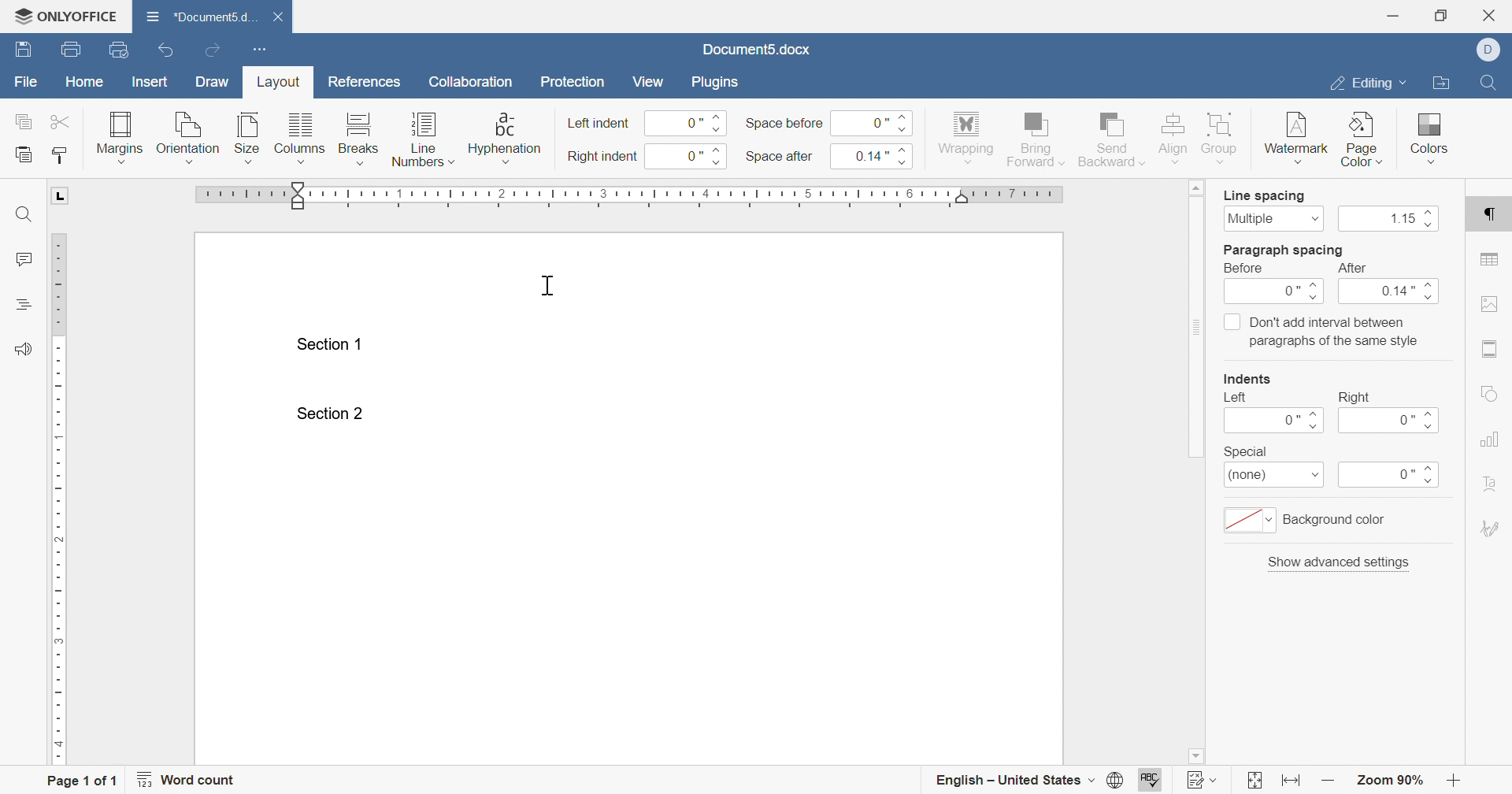 The width and height of the screenshot is (1512, 794). What do you see at coordinates (246, 136) in the screenshot?
I see `size` at bounding box center [246, 136].